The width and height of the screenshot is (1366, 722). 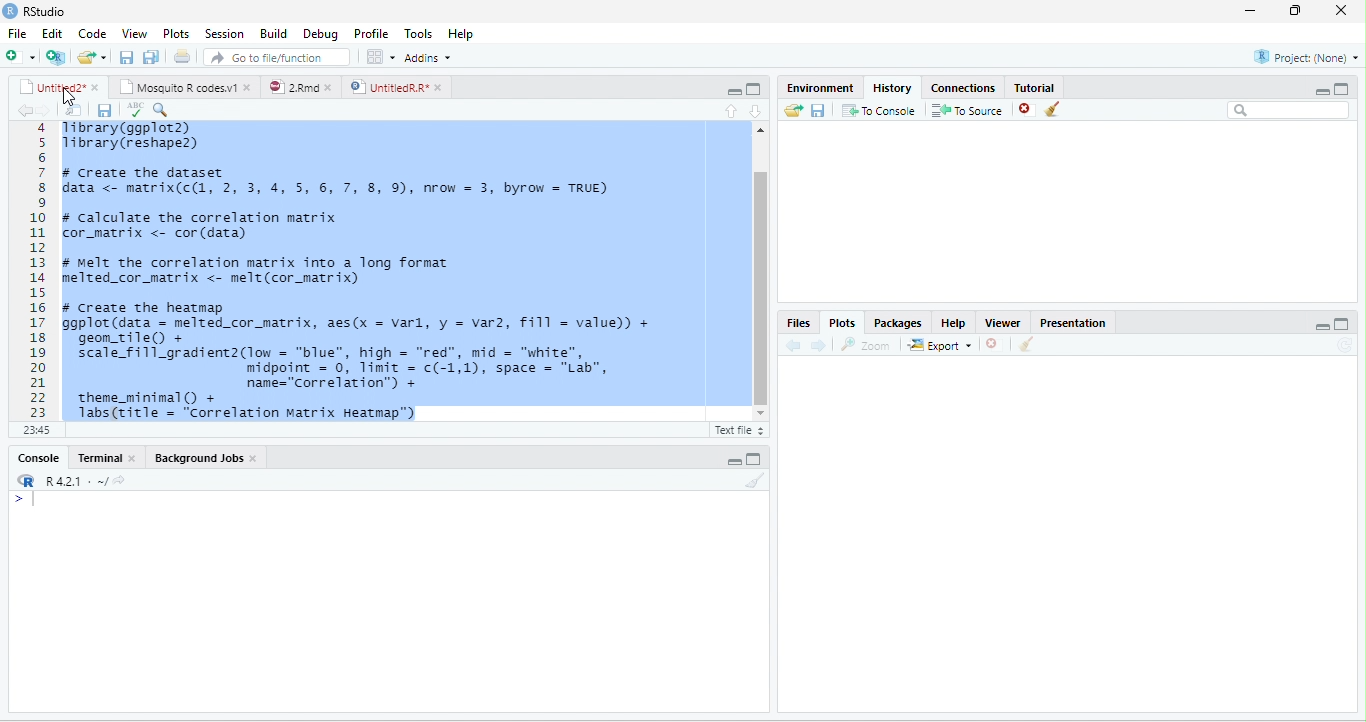 I want to click on minimize, so click(x=1313, y=89).